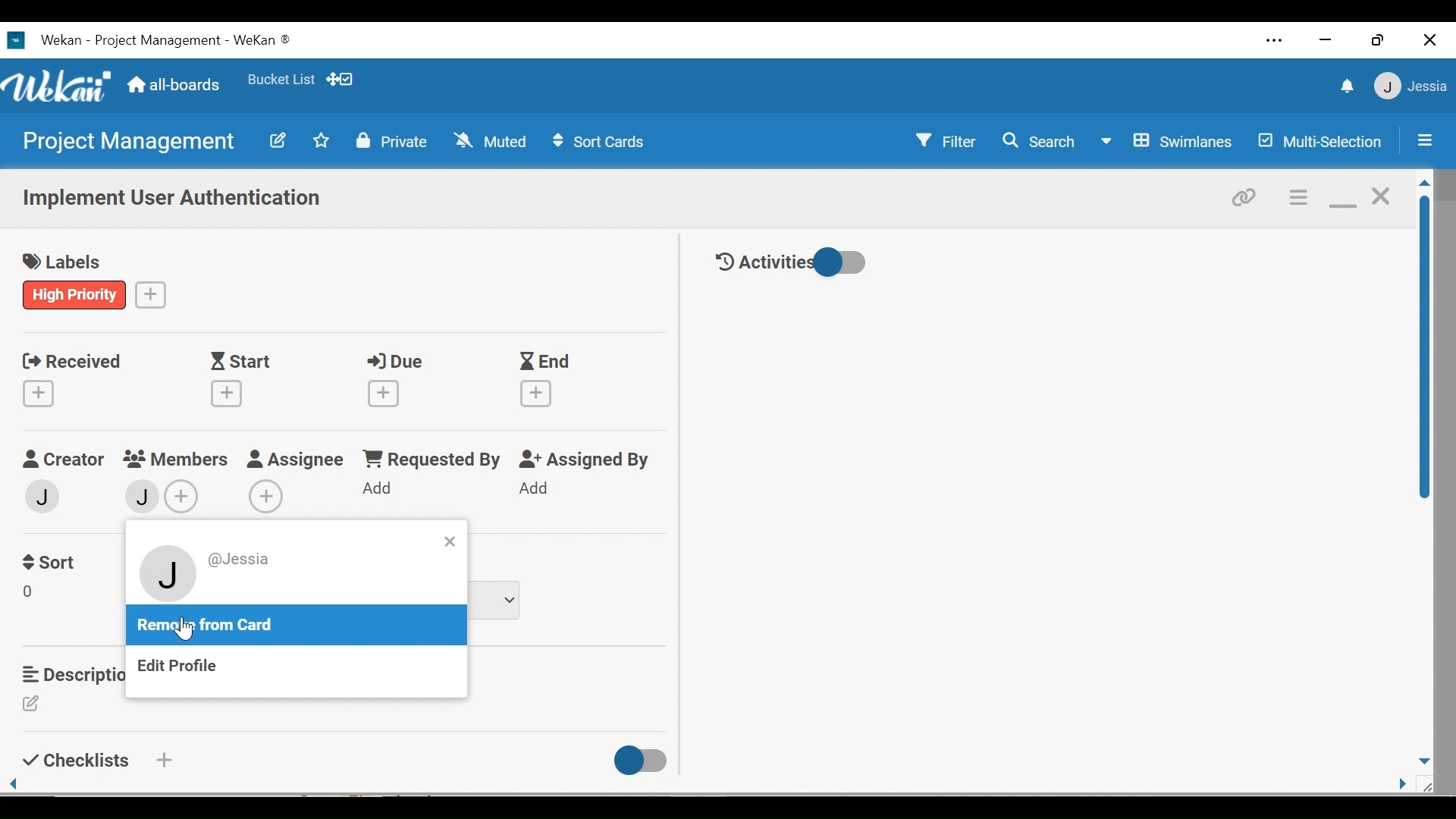 This screenshot has height=819, width=1456. I want to click on minimize, so click(1328, 40).